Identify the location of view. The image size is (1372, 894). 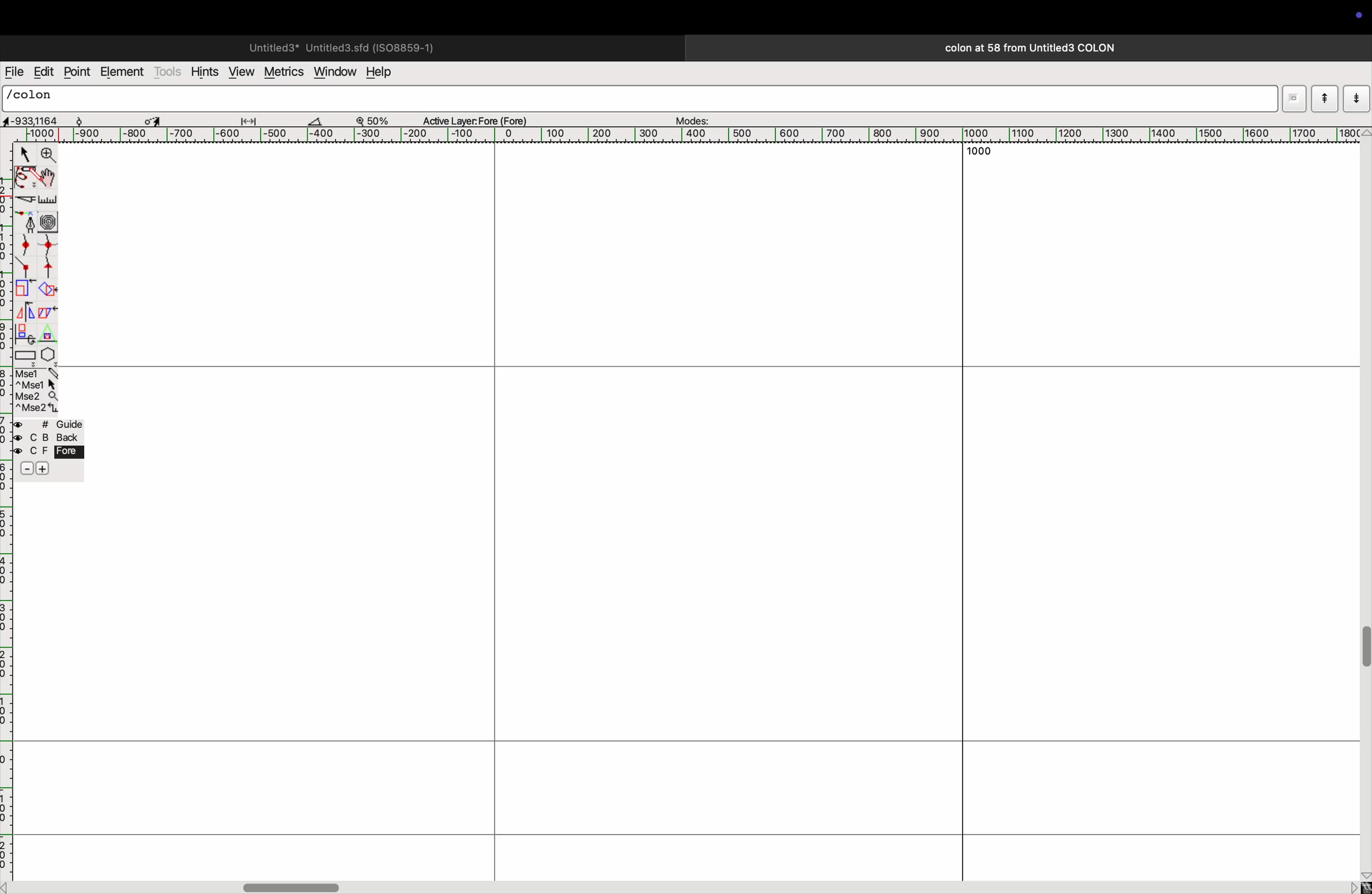
(240, 72).